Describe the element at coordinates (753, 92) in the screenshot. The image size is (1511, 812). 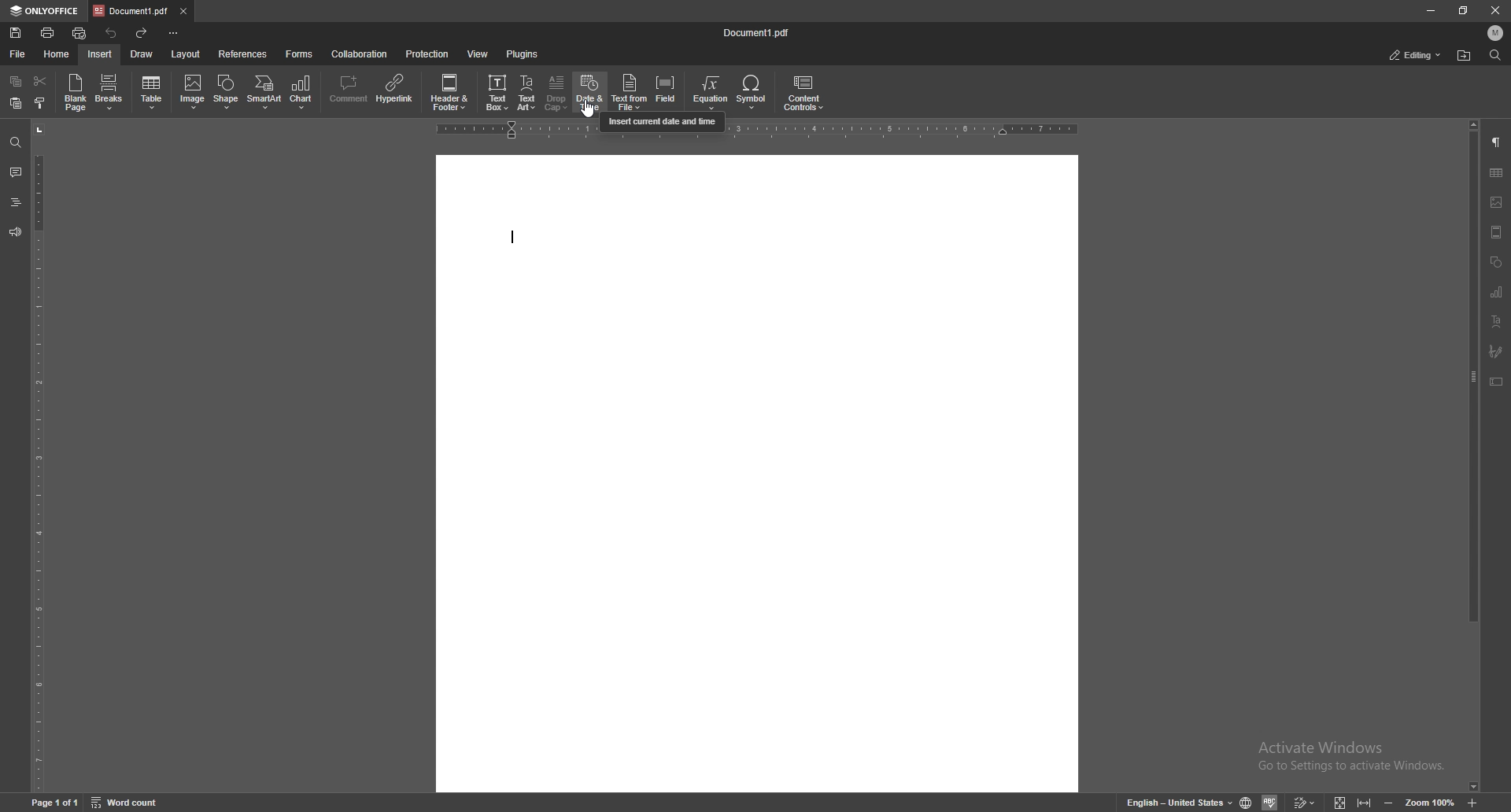
I see `symbol` at that location.